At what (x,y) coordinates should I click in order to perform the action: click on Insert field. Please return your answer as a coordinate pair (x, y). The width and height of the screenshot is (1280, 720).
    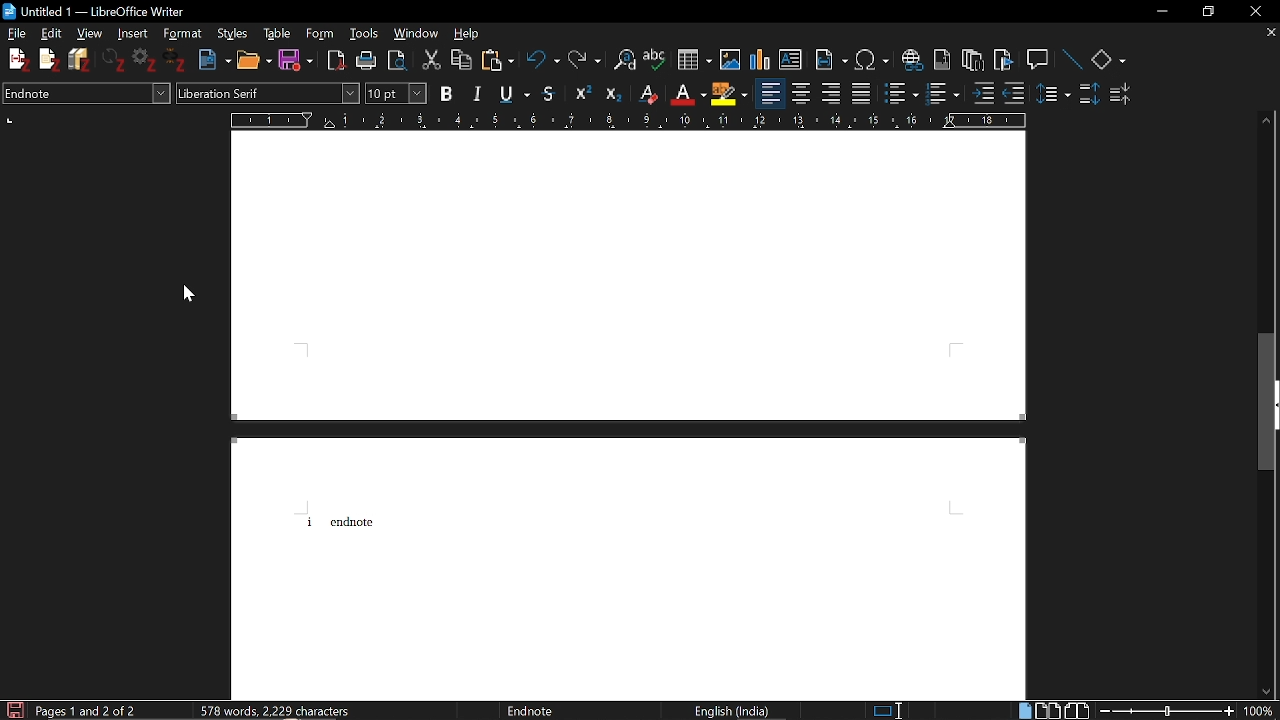
    Looking at the image, I should click on (832, 61).